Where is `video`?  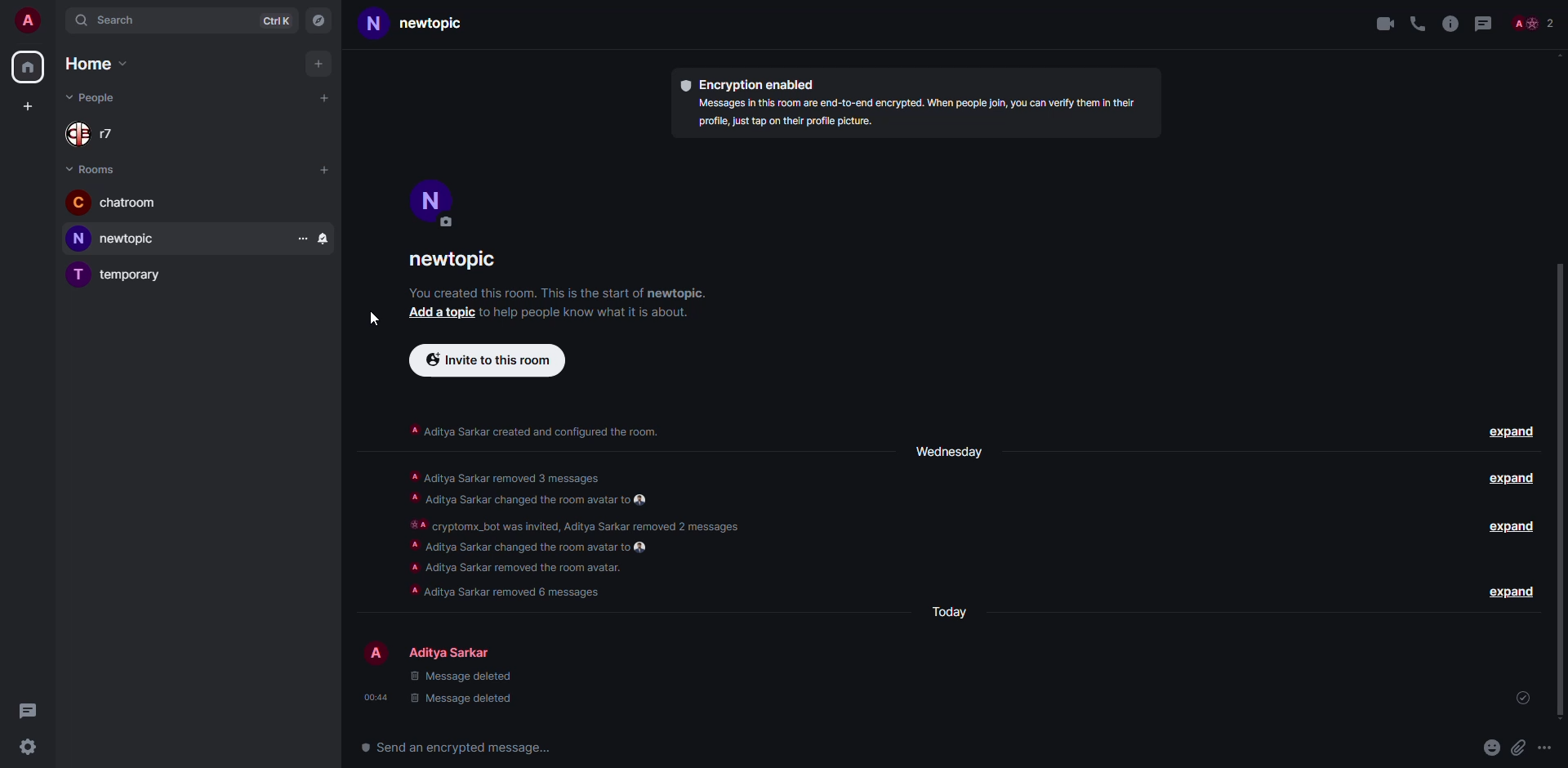 video is located at coordinates (1382, 25).